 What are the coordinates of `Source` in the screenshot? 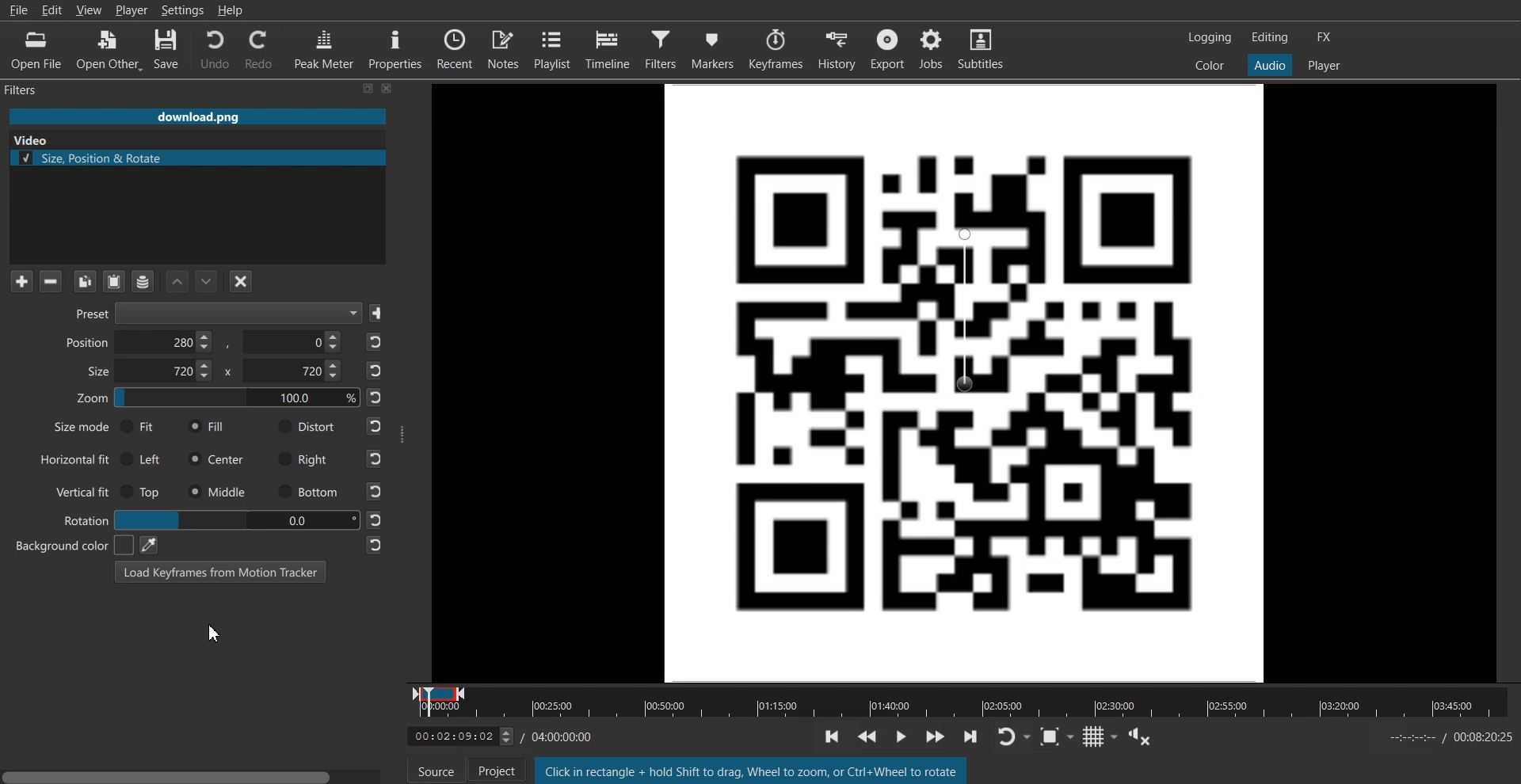 It's located at (436, 772).